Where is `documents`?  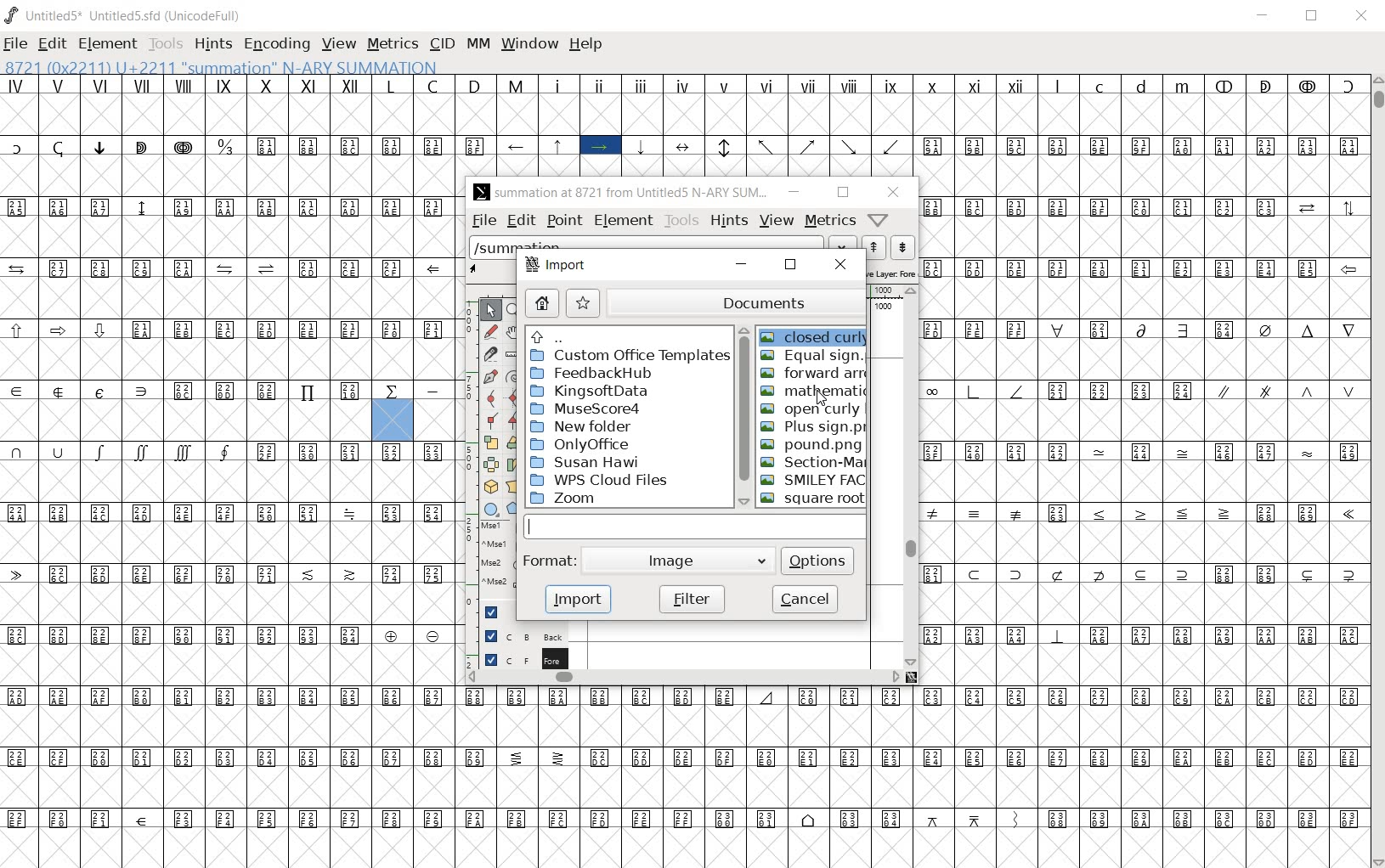 documents is located at coordinates (738, 302).